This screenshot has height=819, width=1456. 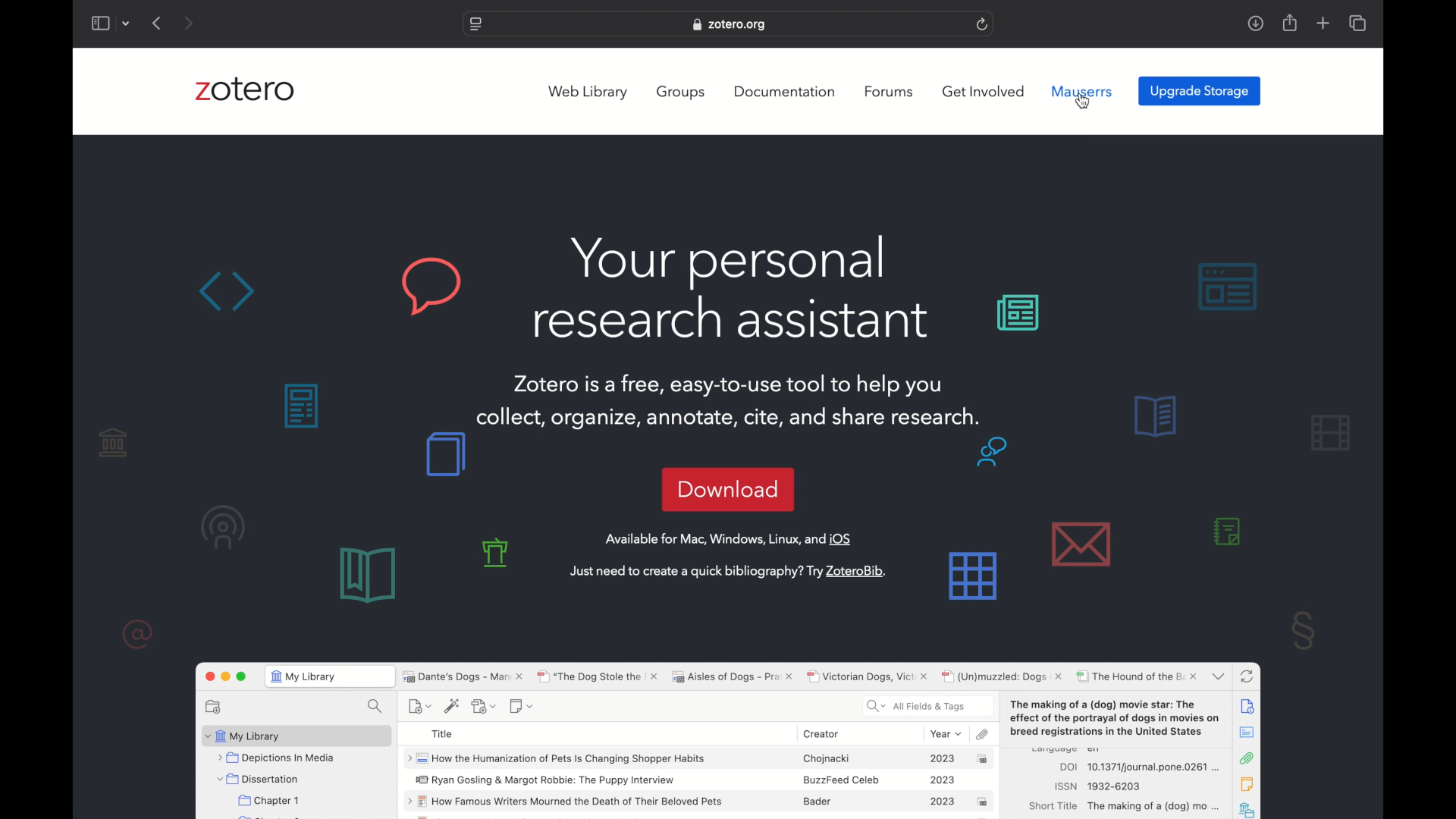 What do you see at coordinates (588, 93) in the screenshot?
I see `web library` at bounding box center [588, 93].